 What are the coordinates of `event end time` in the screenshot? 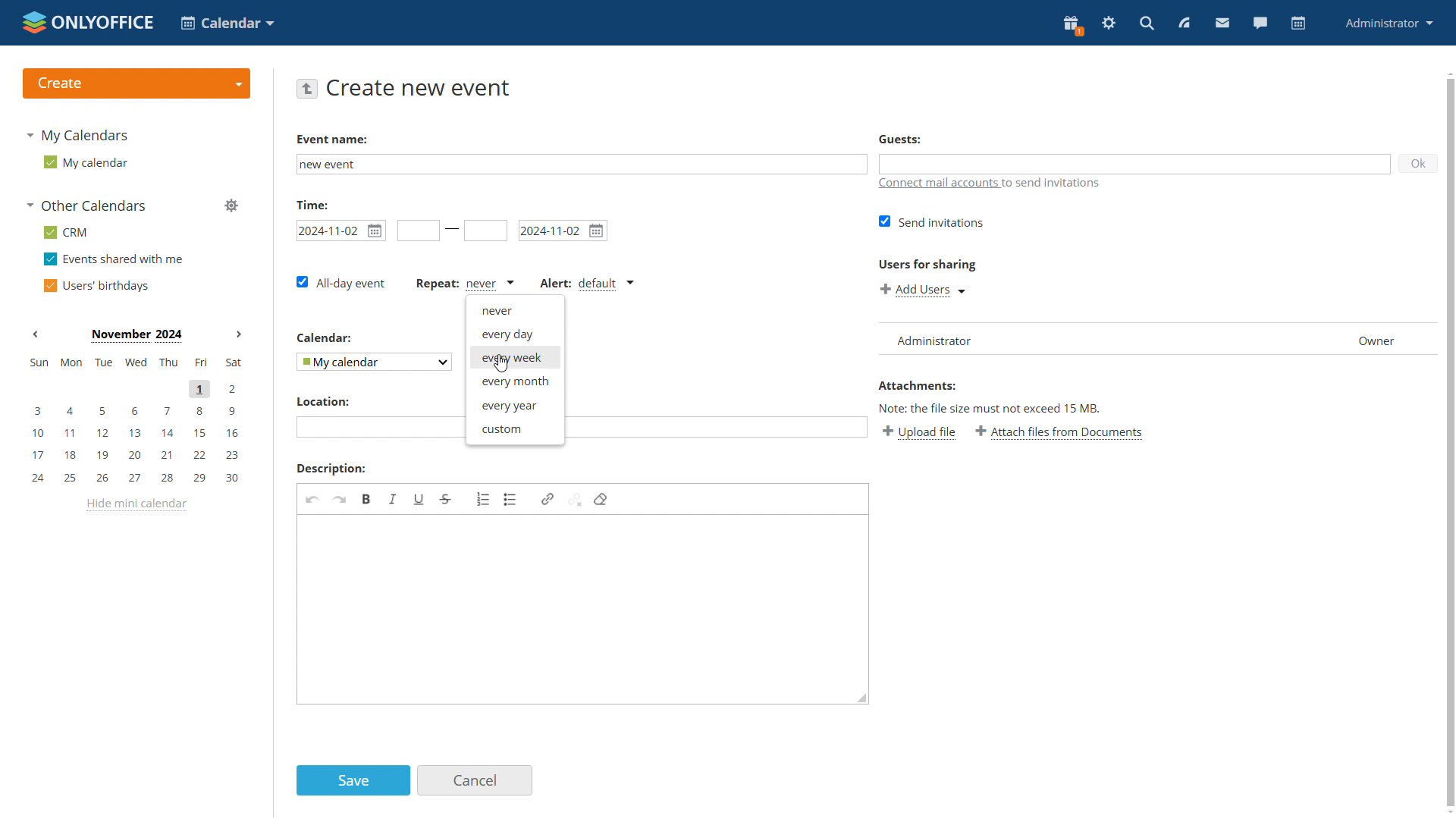 It's located at (485, 231).